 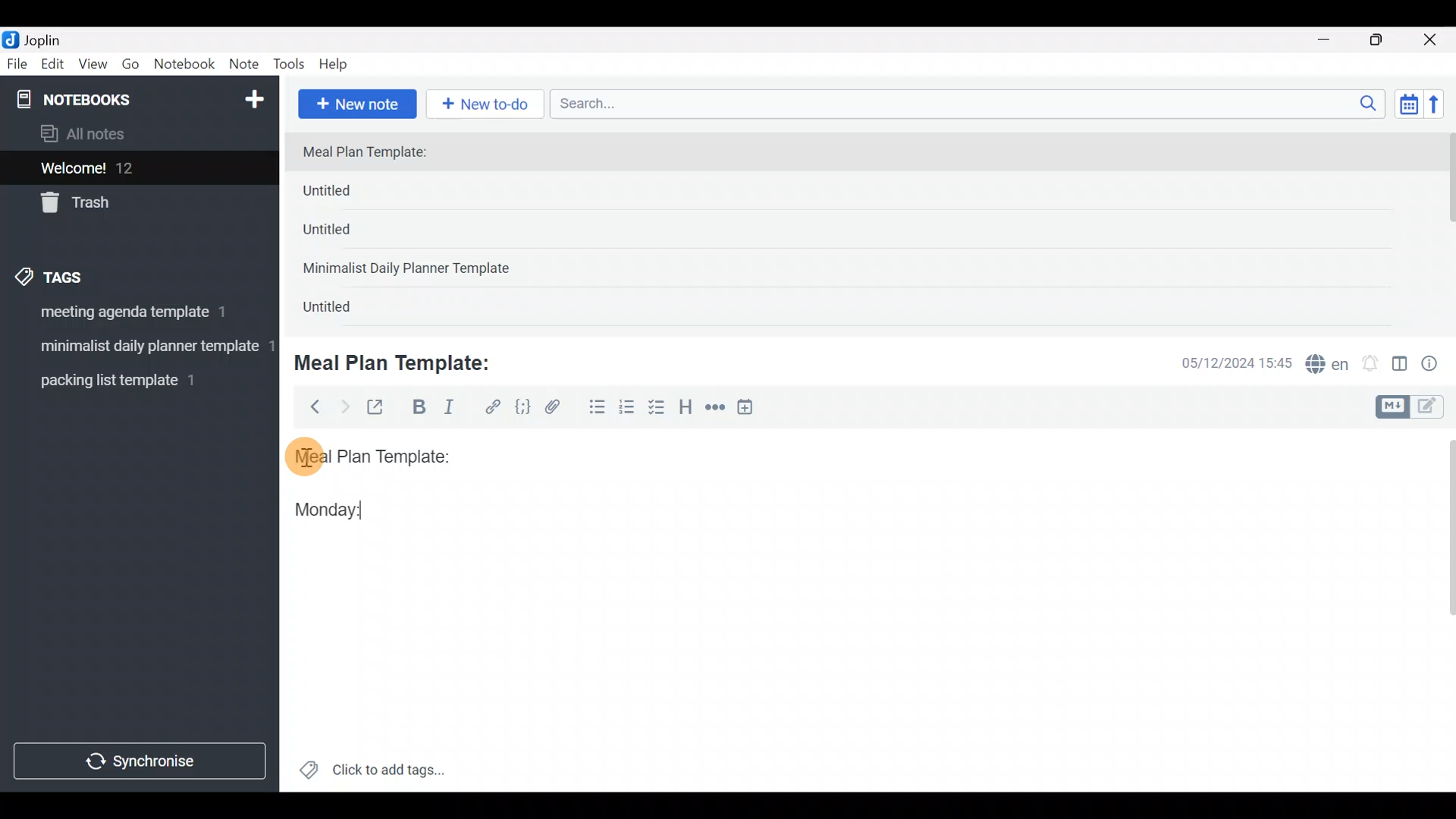 What do you see at coordinates (1225, 362) in the screenshot?
I see `Date & time` at bounding box center [1225, 362].